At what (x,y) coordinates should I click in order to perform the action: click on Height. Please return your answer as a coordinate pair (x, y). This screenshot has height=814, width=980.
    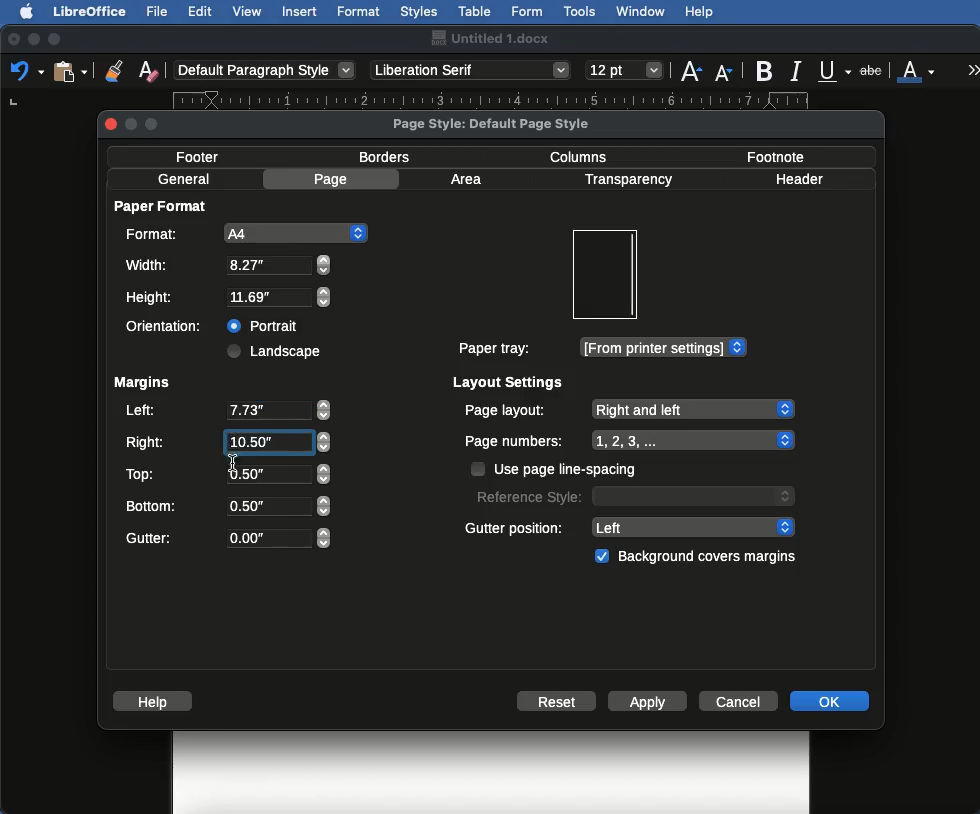
    Looking at the image, I should click on (229, 298).